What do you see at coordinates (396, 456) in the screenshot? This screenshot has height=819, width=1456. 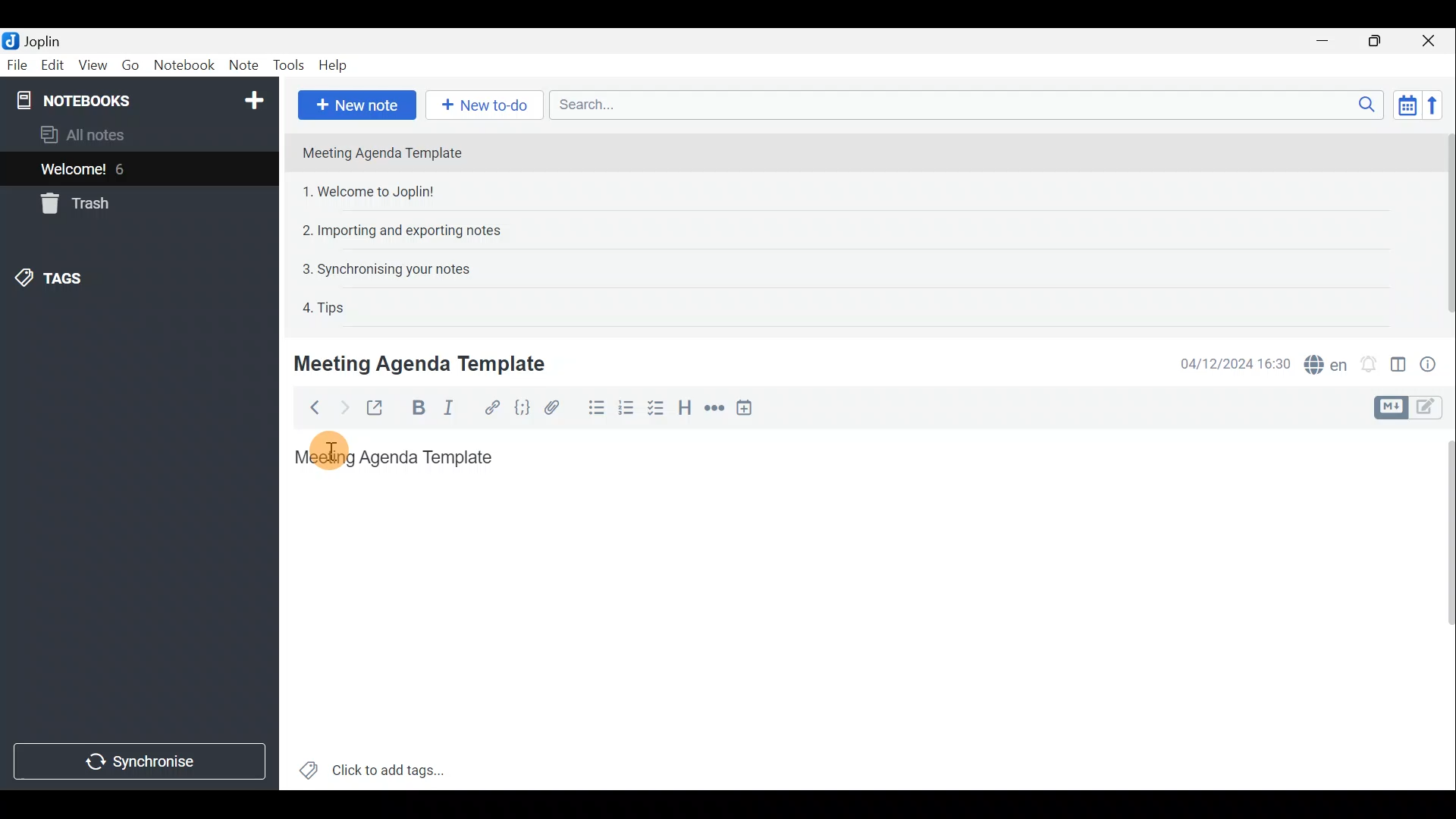 I see `Meeting Agenda Template` at bounding box center [396, 456].